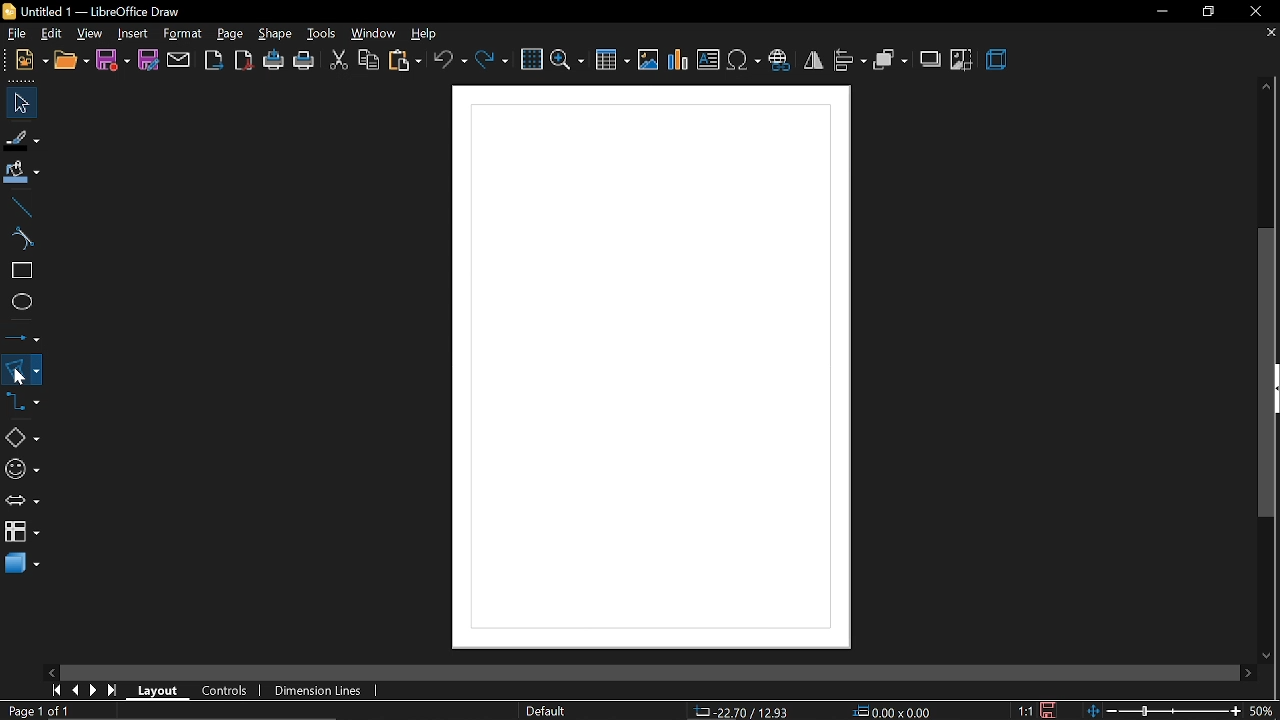 This screenshot has height=720, width=1280. Describe the element at coordinates (98, 688) in the screenshot. I see `next page` at that location.